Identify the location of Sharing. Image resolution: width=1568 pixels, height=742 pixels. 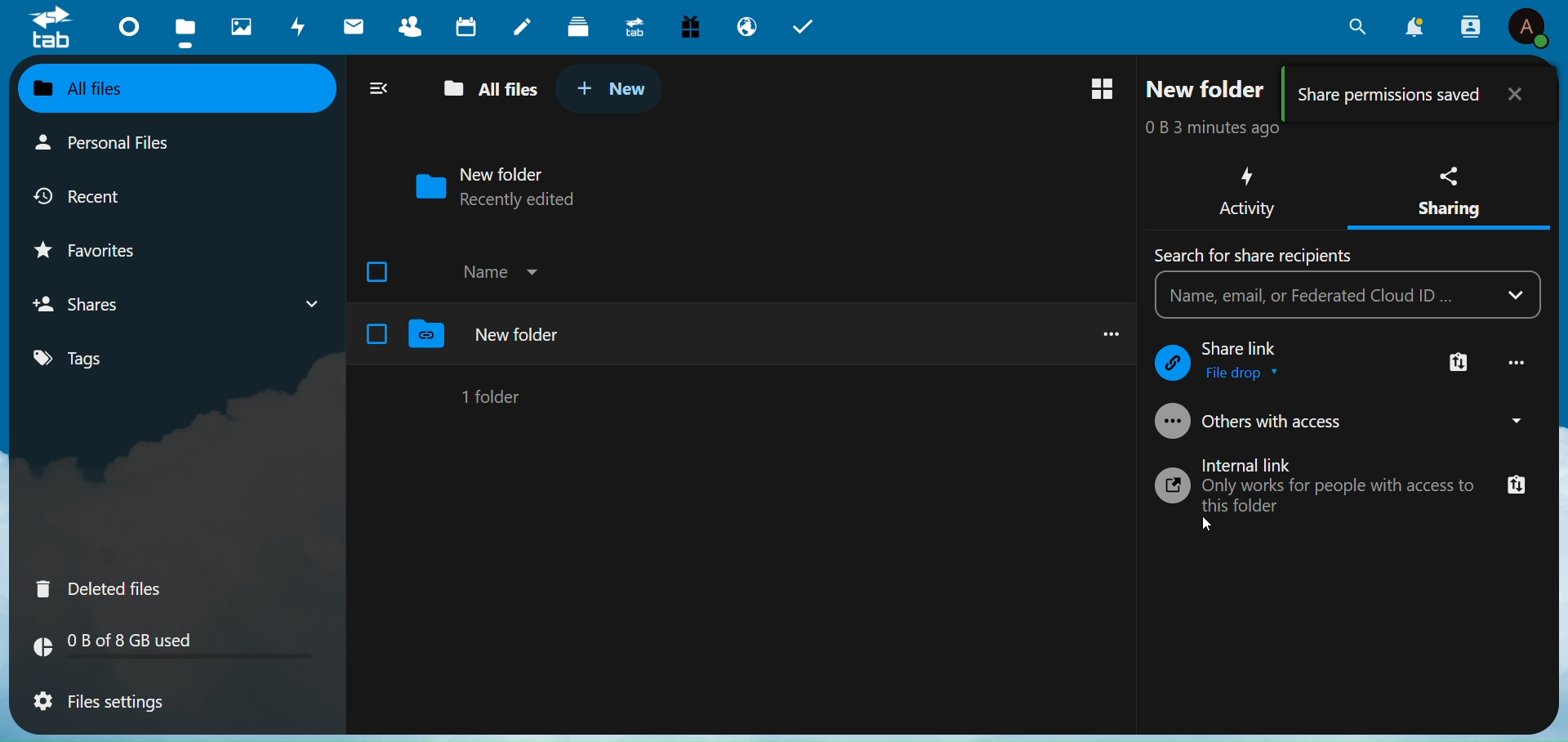
(1450, 185).